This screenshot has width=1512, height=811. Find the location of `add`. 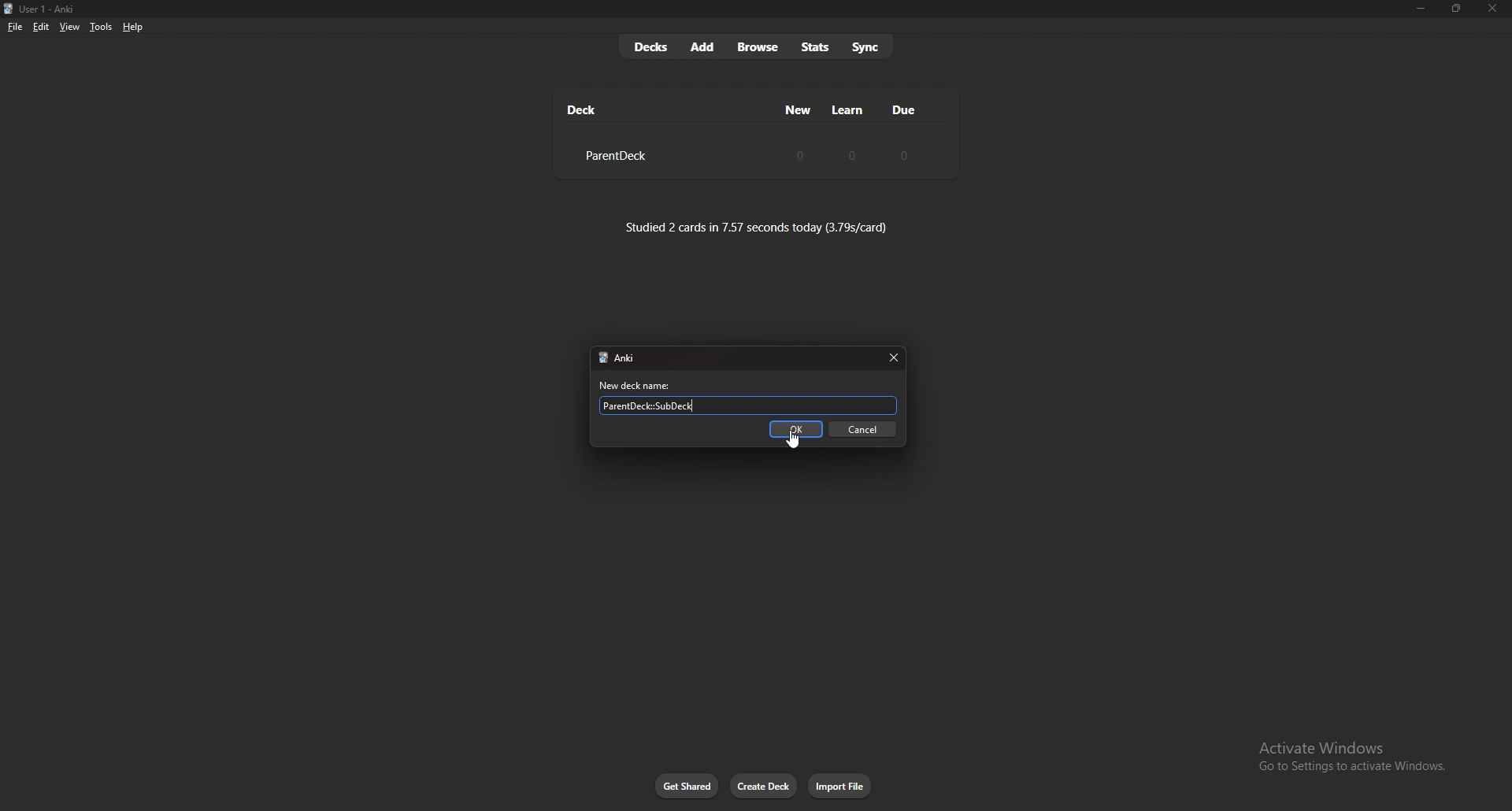

add is located at coordinates (703, 46).